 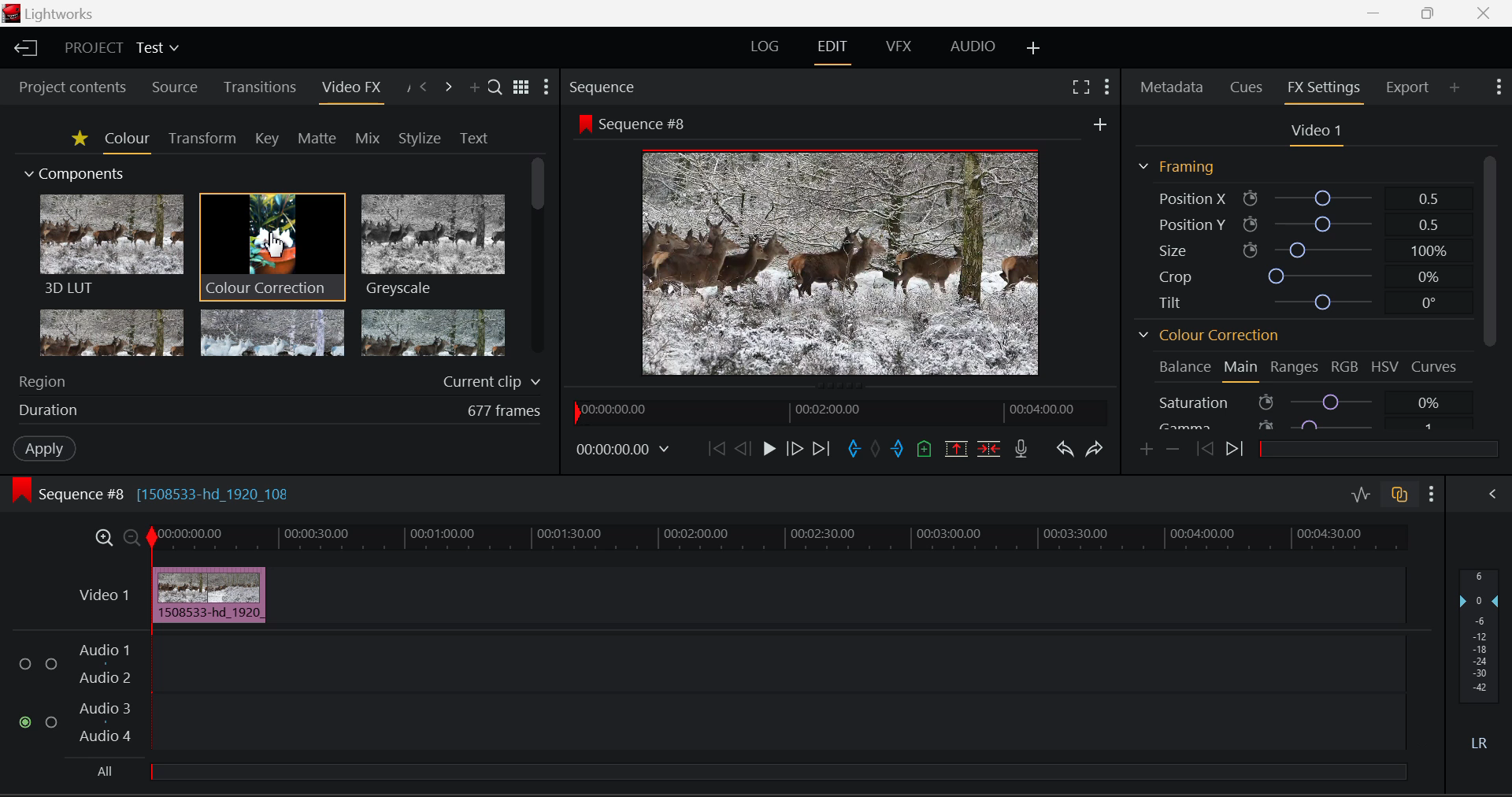 I want to click on Timeline Zoom Out, so click(x=132, y=539).